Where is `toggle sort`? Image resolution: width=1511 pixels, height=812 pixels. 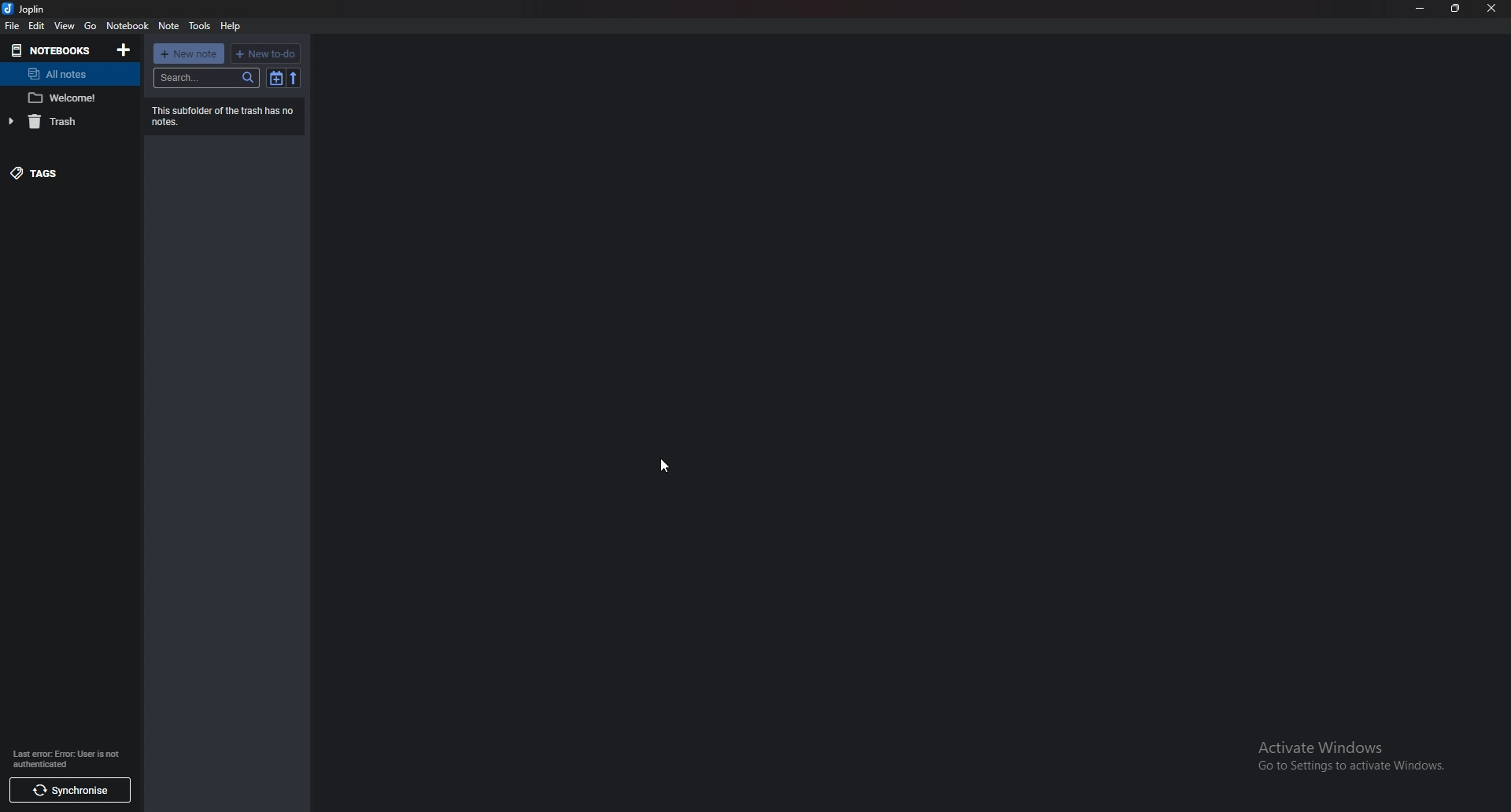 toggle sort is located at coordinates (275, 78).